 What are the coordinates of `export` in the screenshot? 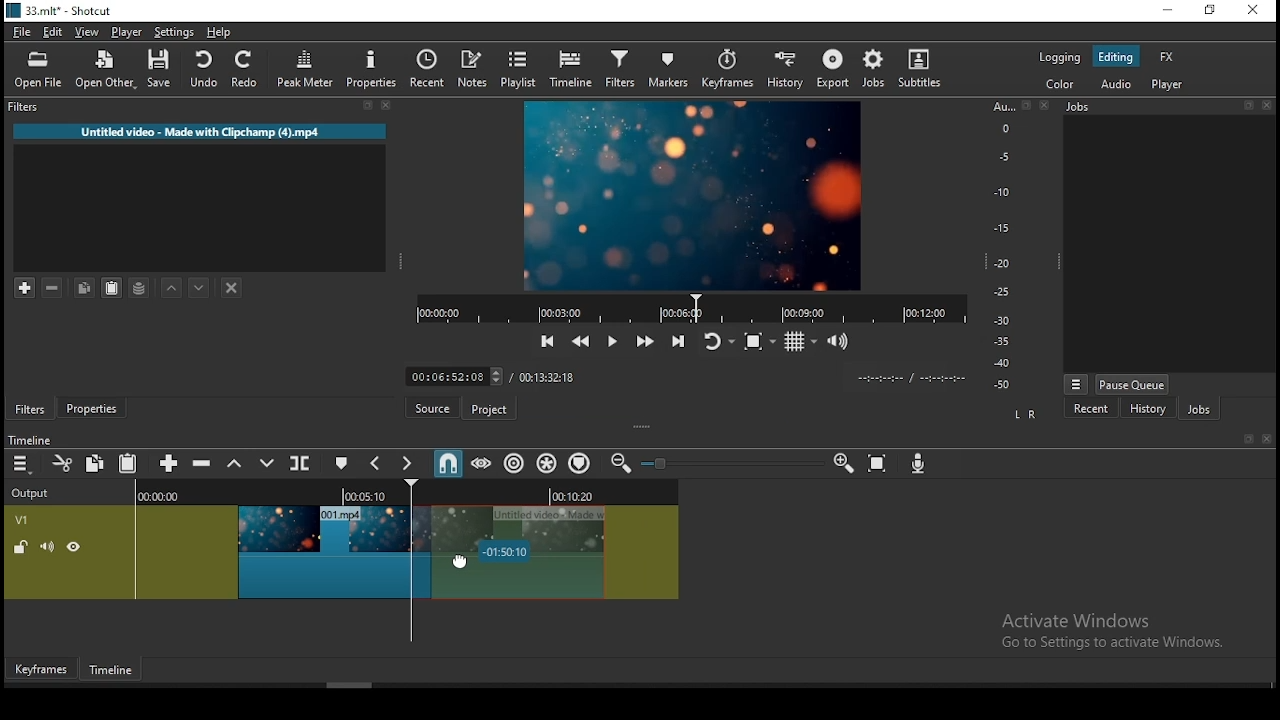 It's located at (831, 69).